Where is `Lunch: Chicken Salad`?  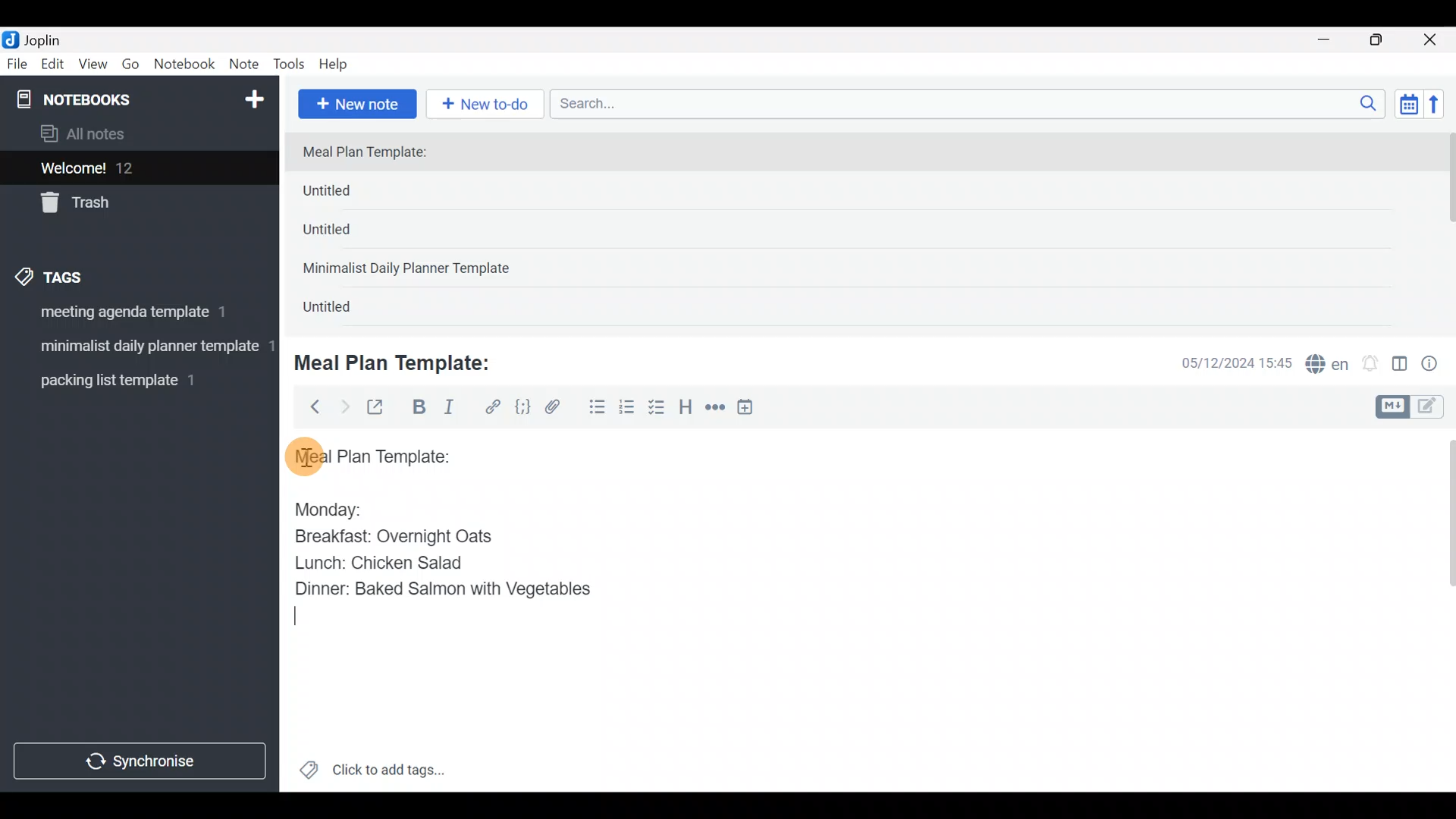 Lunch: Chicken Salad is located at coordinates (377, 563).